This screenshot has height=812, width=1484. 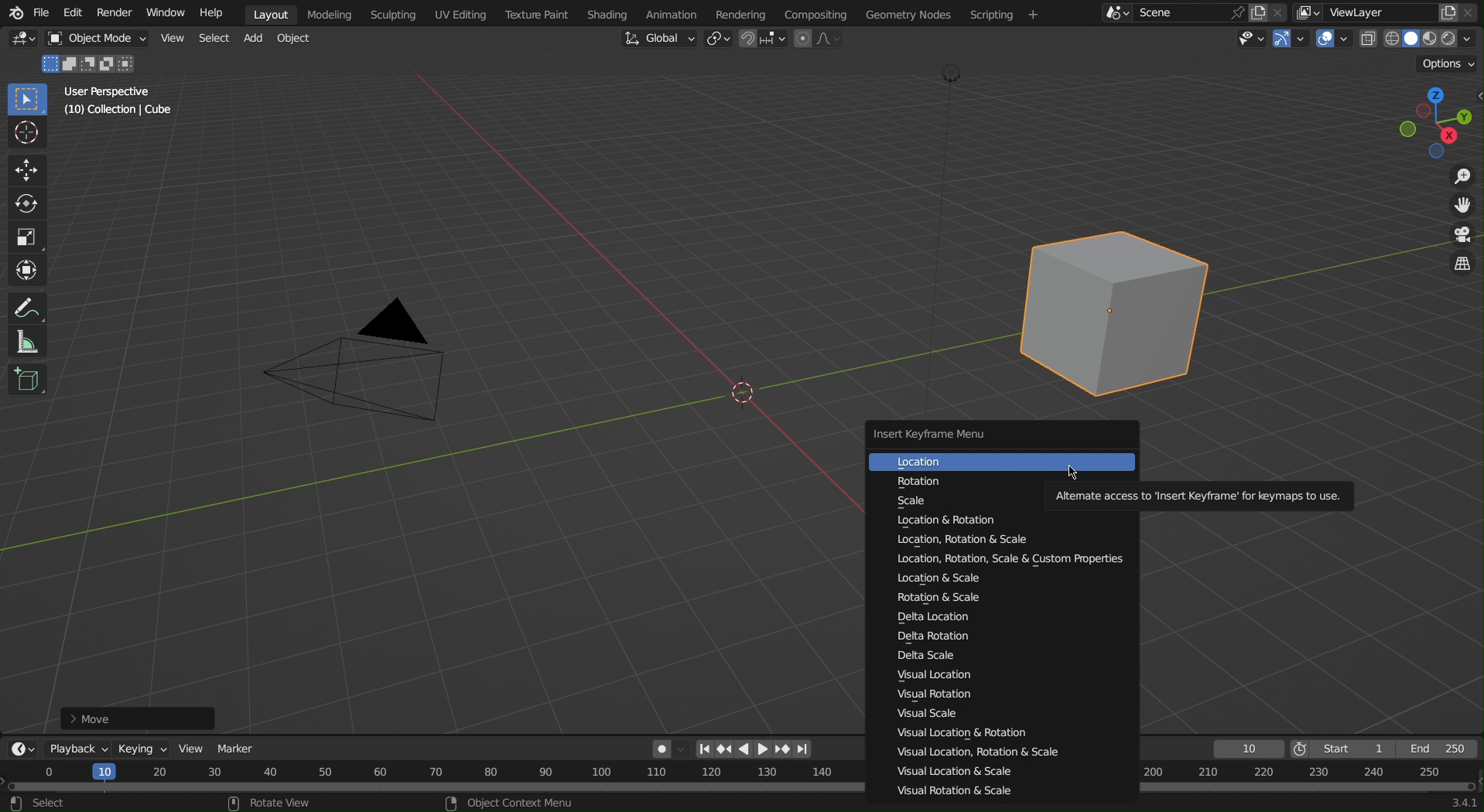 I want to click on Location, Rotation, Scale & Custom Properties, so click(x=997, y=561).